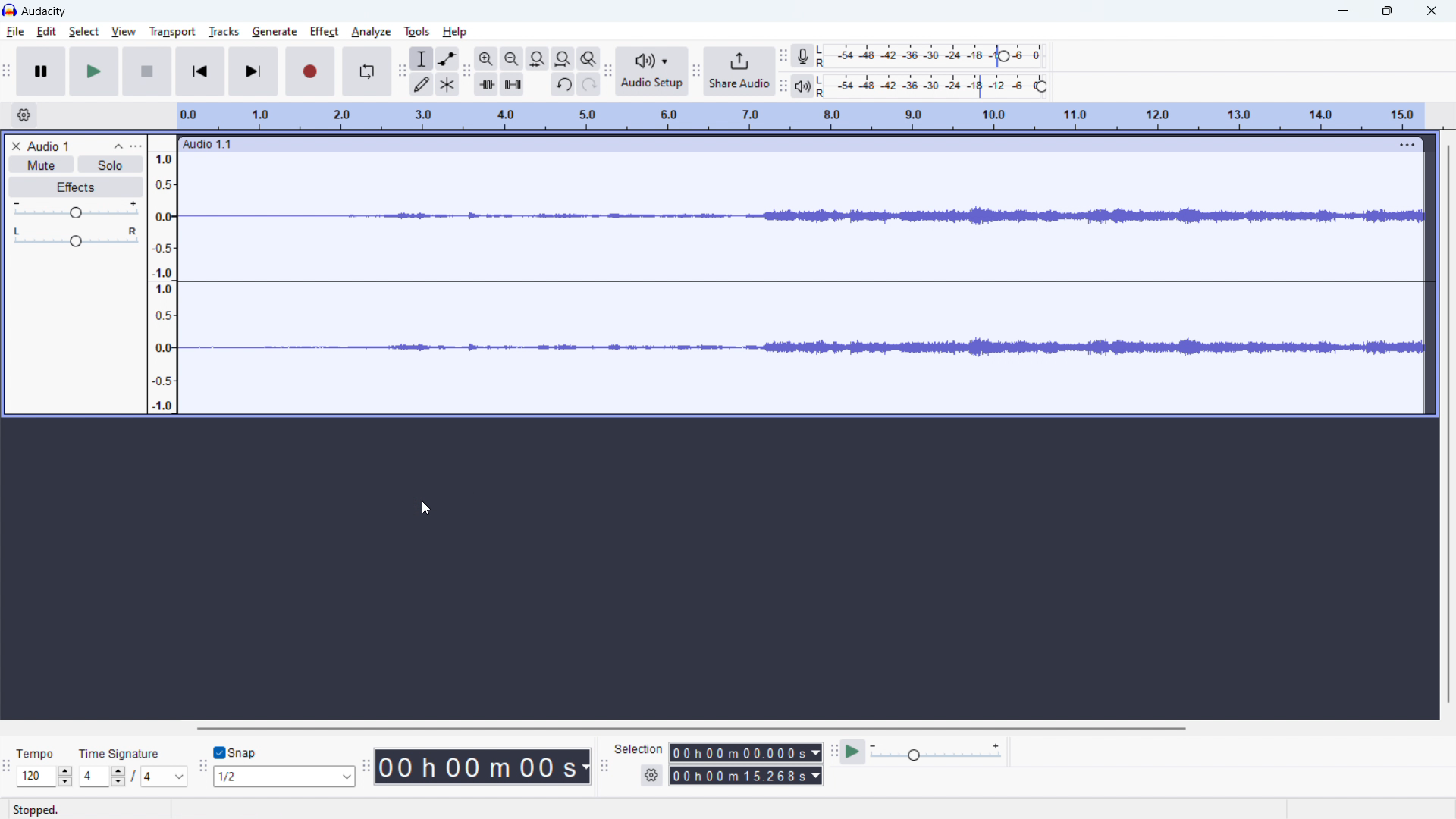 The width and height of the screenshot is (1456, 819). What do you see at coordinates (41, 165) in the screenshot?
I see `mute` at bounding box center [41, 165].